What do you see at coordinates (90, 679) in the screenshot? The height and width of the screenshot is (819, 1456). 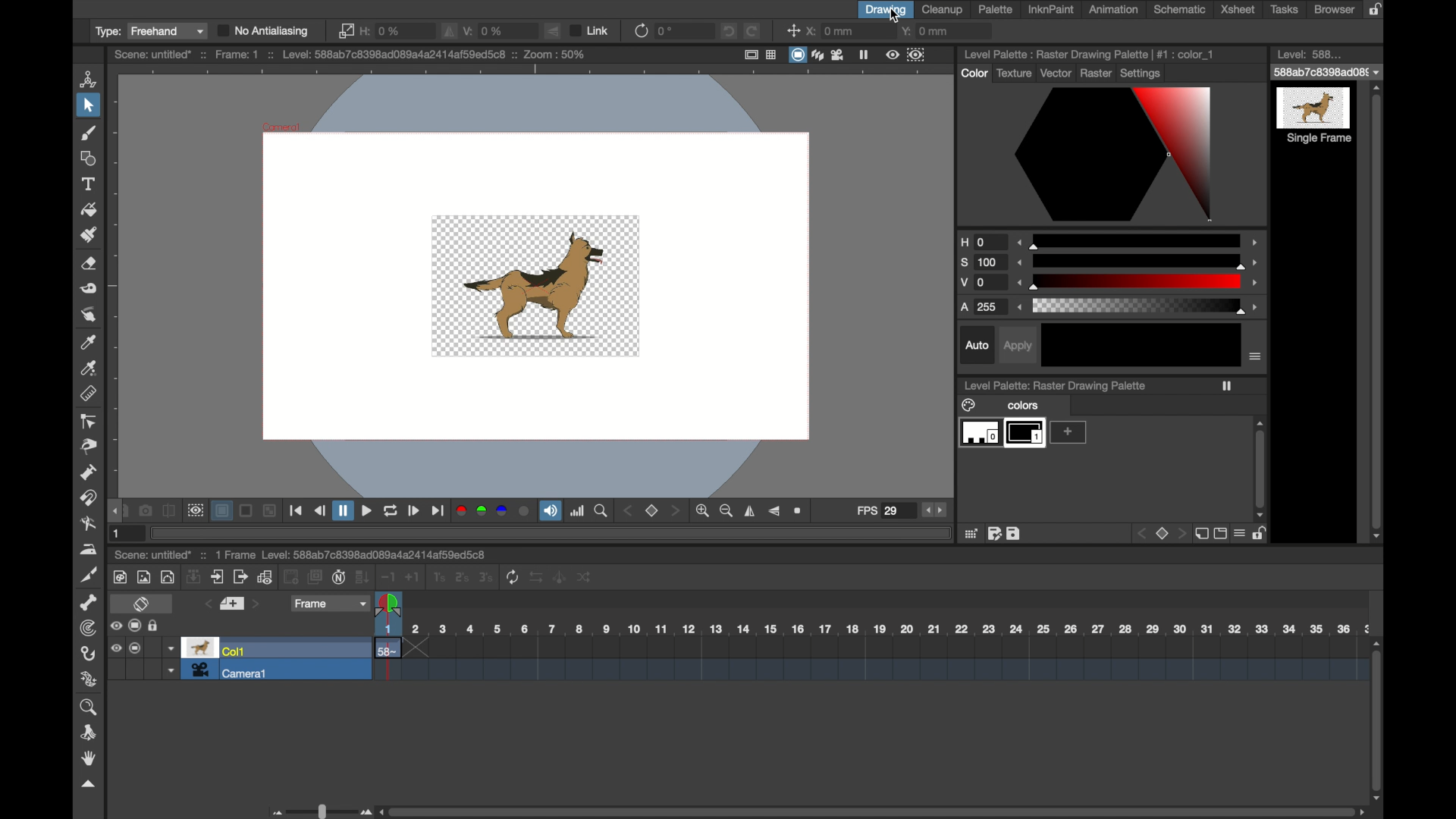 I see `plastic tool` at bounding box center [90, 679].